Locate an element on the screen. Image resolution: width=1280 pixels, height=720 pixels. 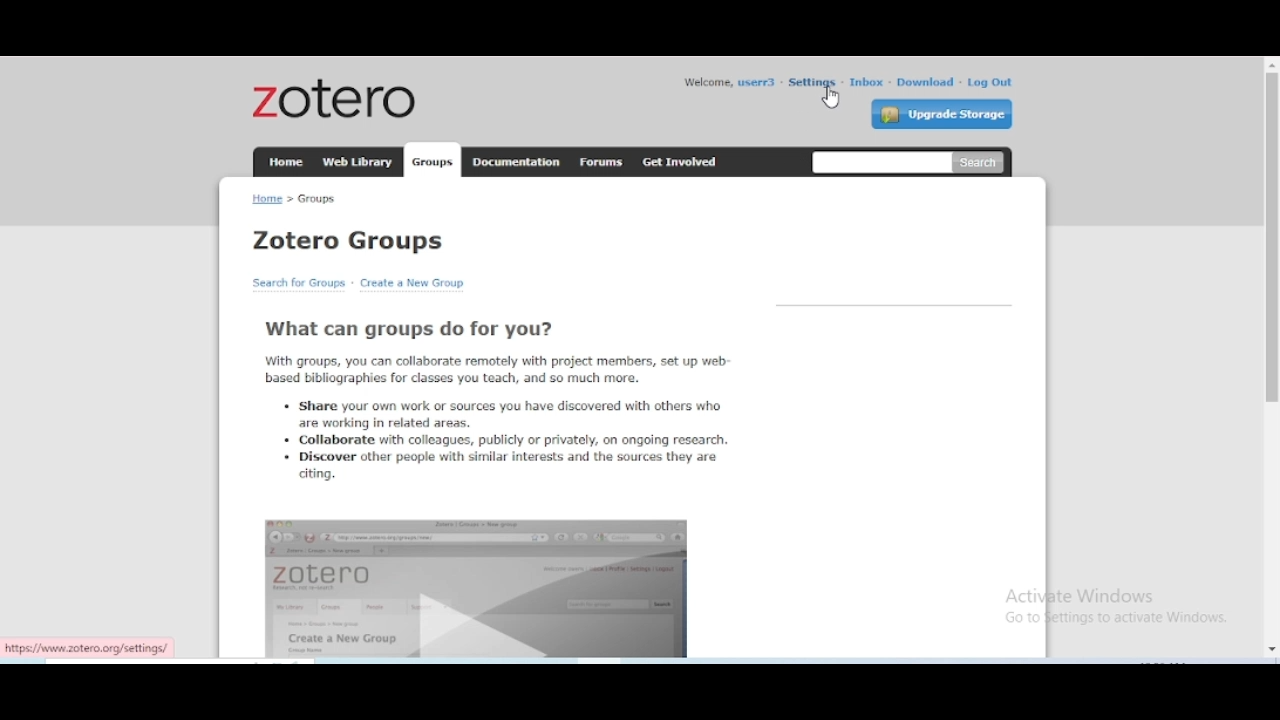
https://www zotero.org/settings/ is located at coordinates (88, 650).